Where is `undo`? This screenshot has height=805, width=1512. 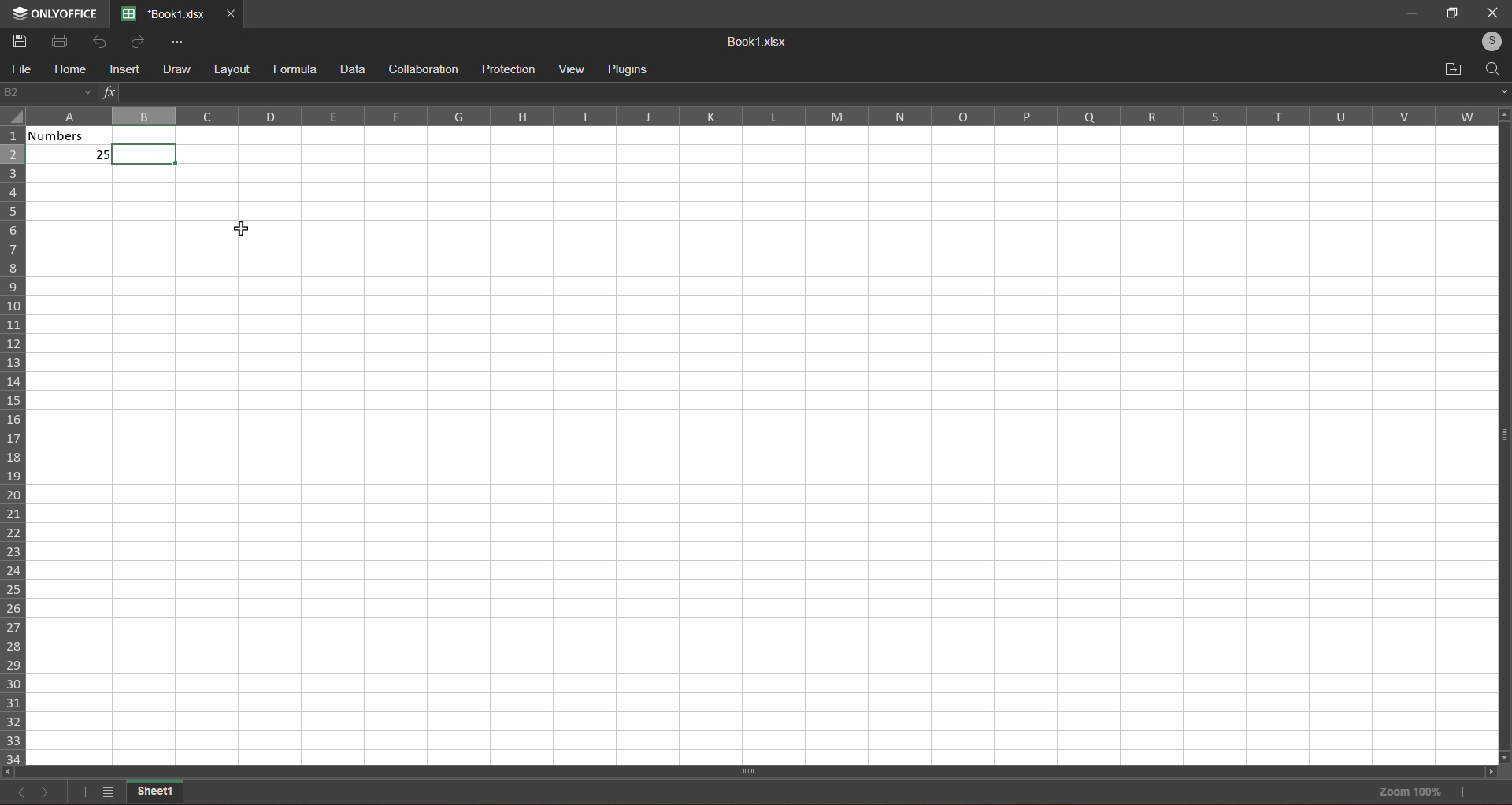
undo is located at coordinates (95, 40).